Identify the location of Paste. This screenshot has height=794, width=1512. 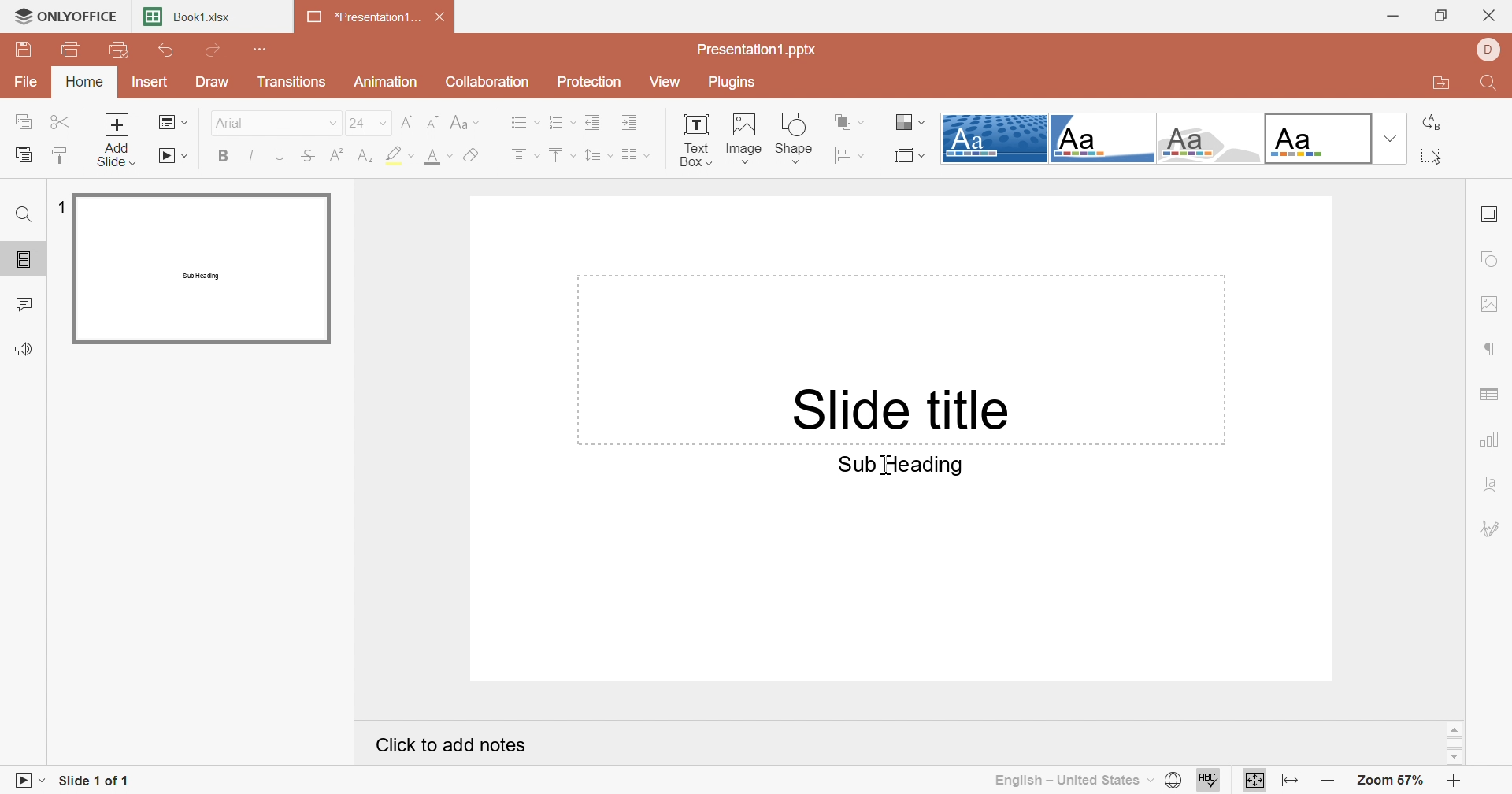
(28, 154).